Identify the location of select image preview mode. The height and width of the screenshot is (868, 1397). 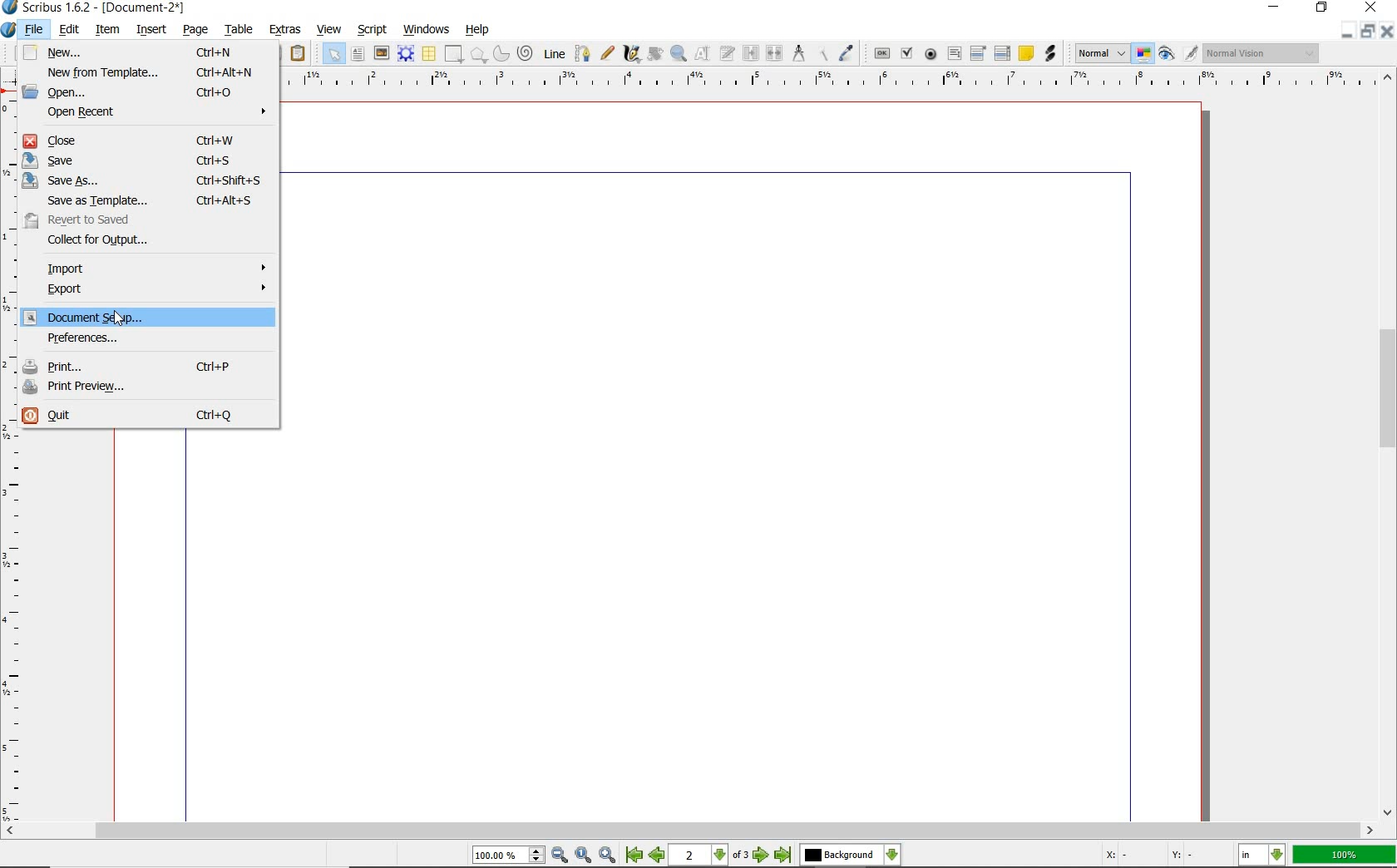
(1101, 53).